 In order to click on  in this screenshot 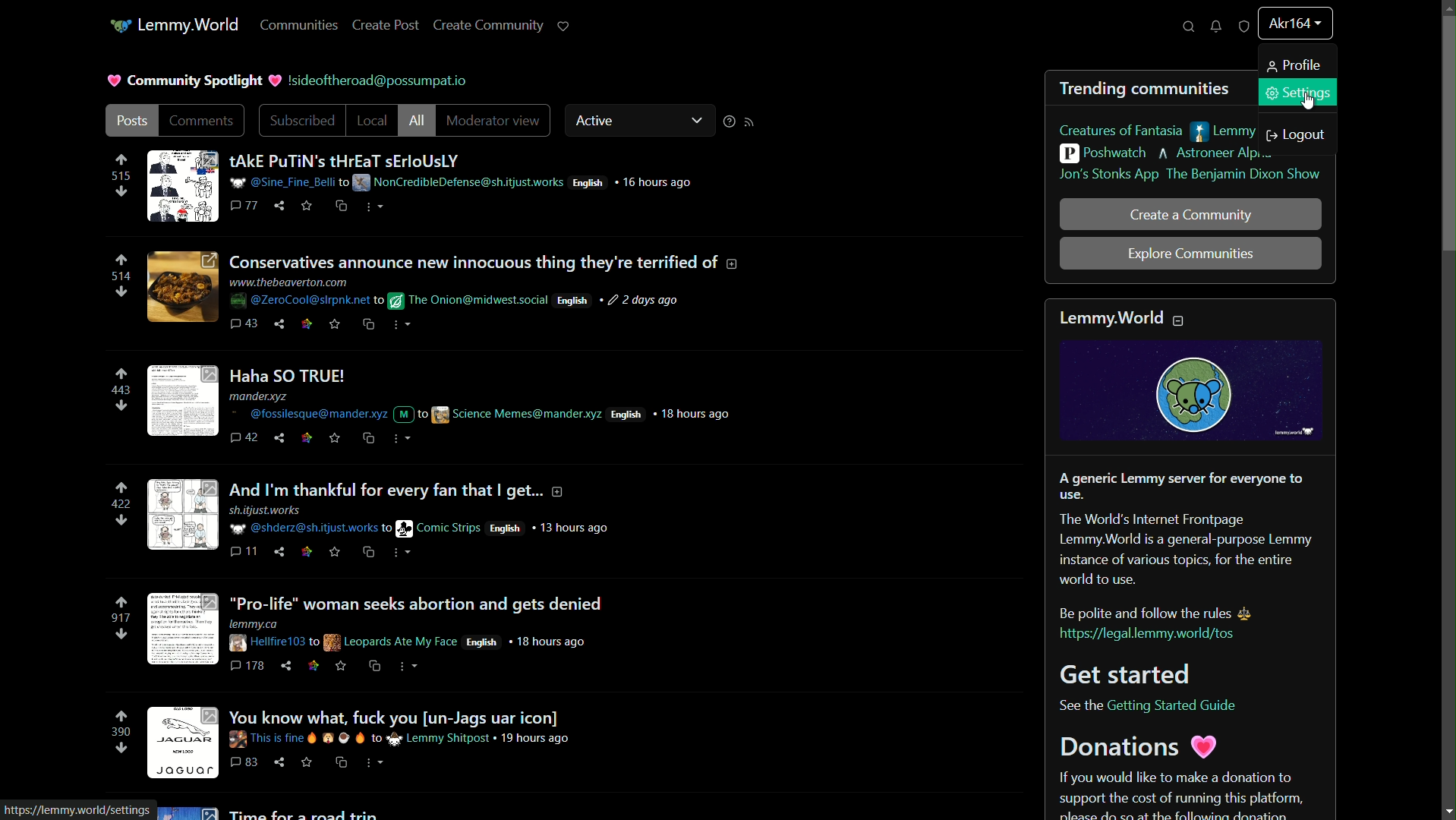, I will do `click(350, 742)`.